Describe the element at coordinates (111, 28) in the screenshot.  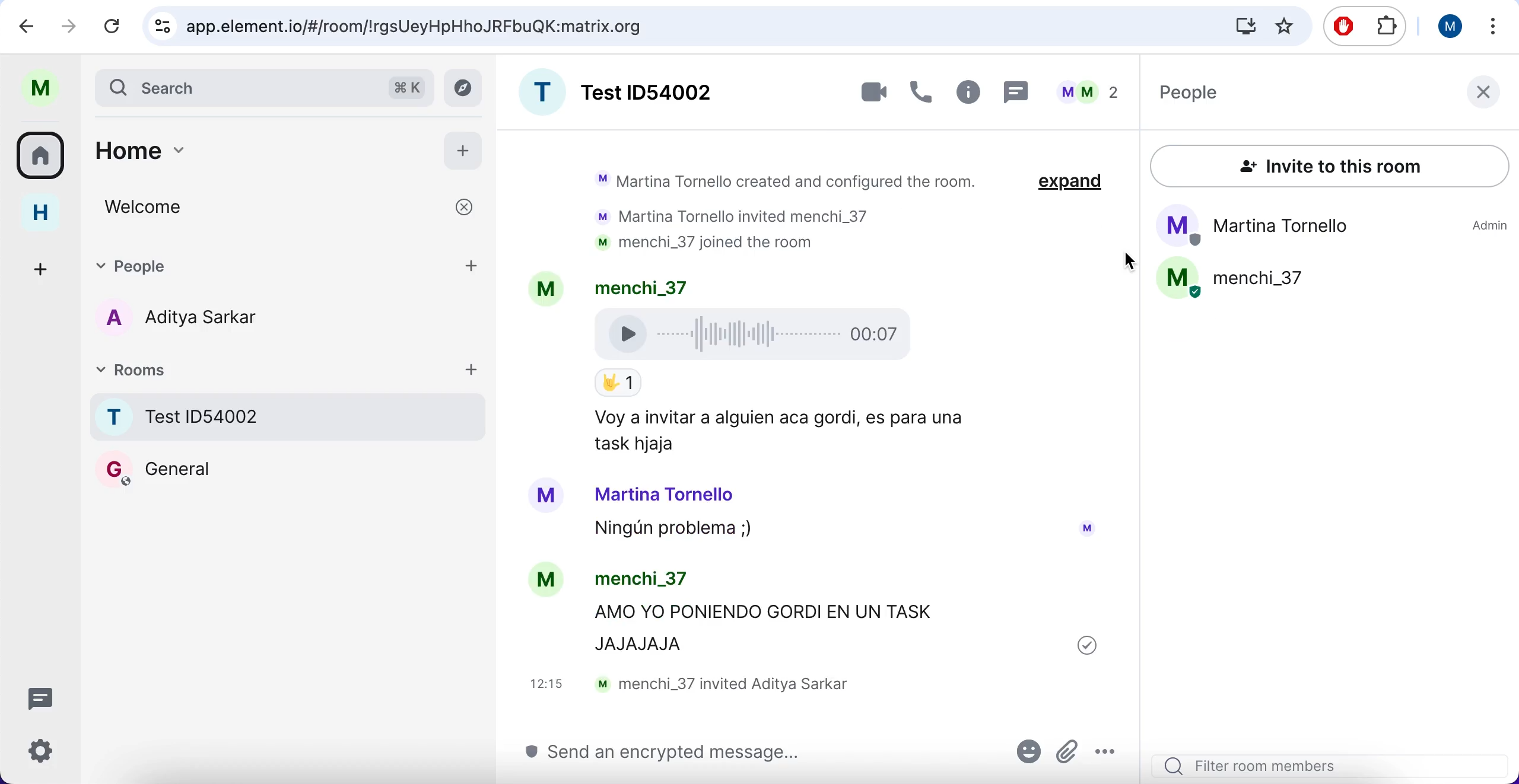
I see `reload current page` at that location.